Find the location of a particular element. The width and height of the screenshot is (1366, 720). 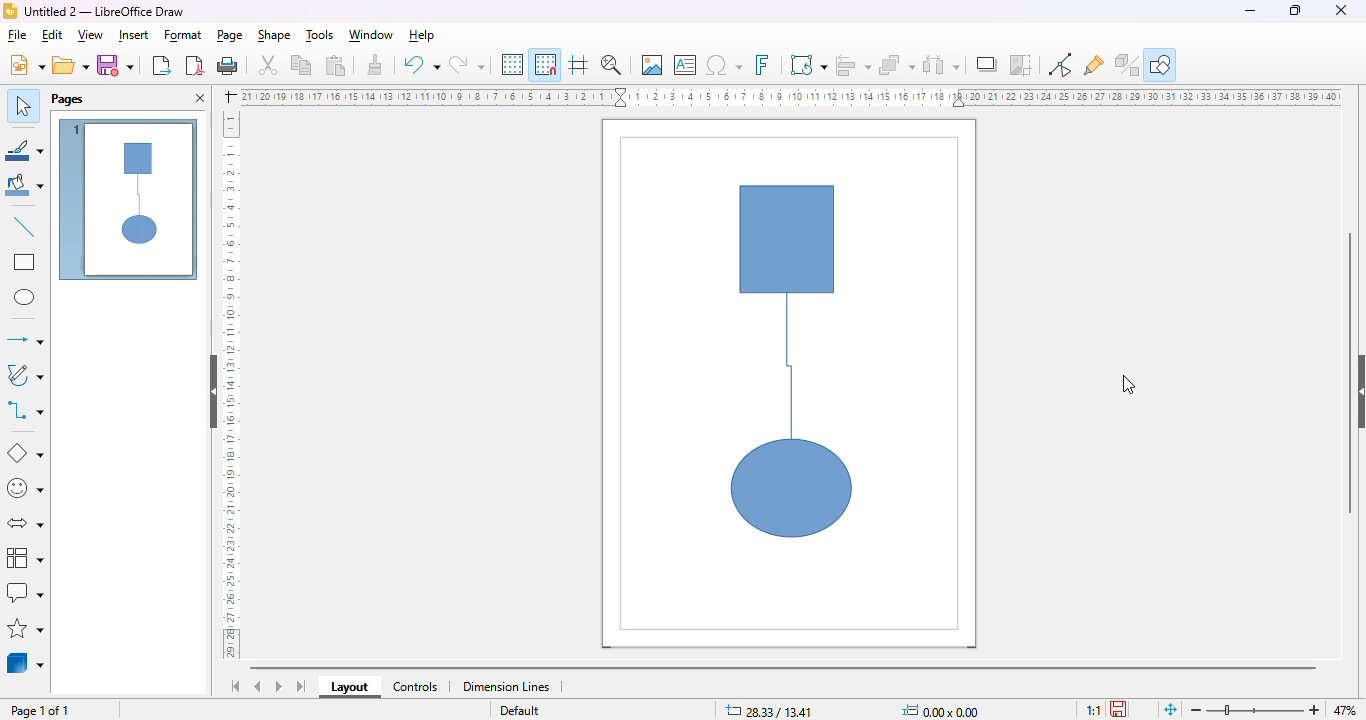

clone formatting is located at coordinates (375, 65).